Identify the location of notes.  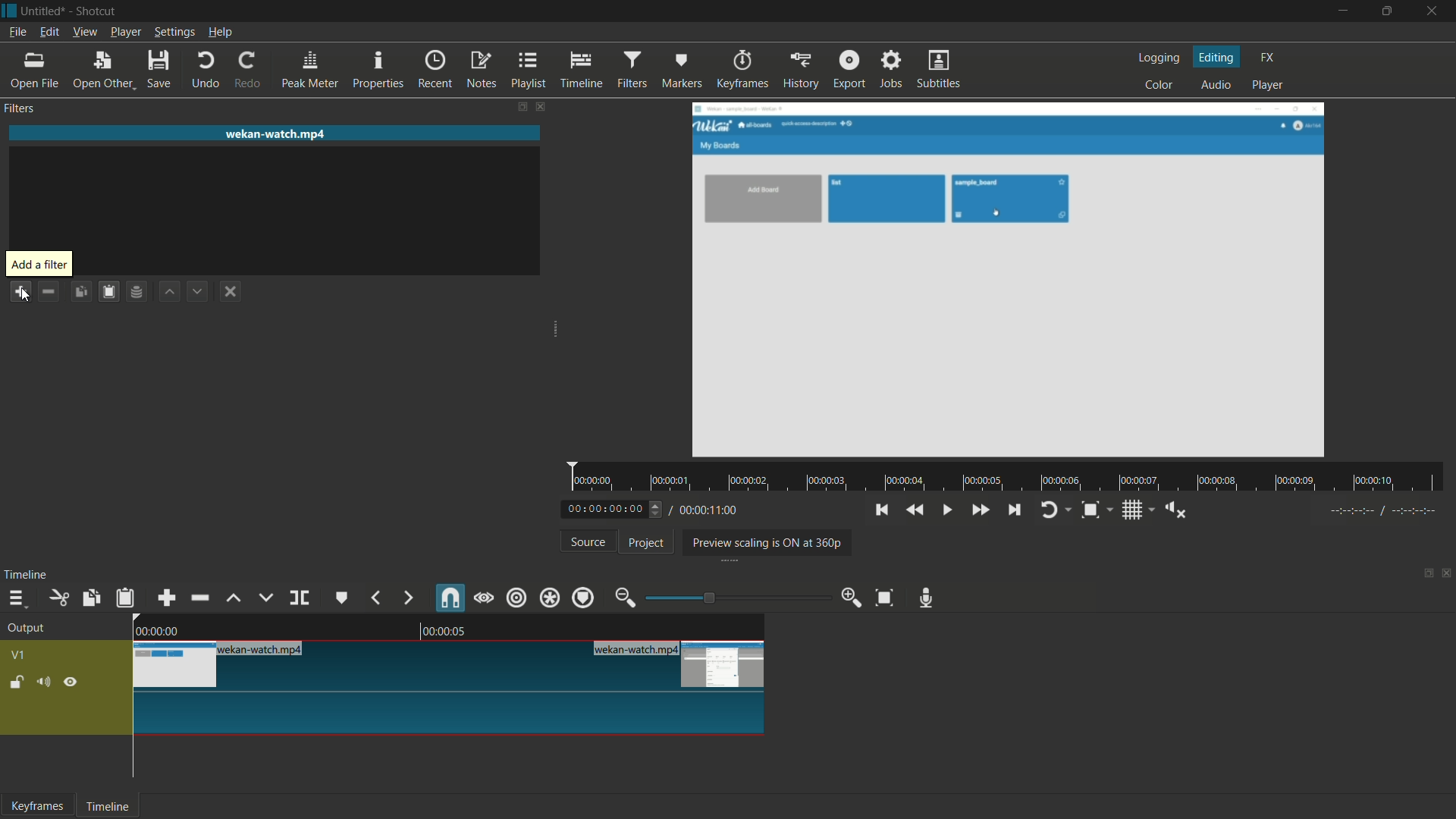
(482, 71).